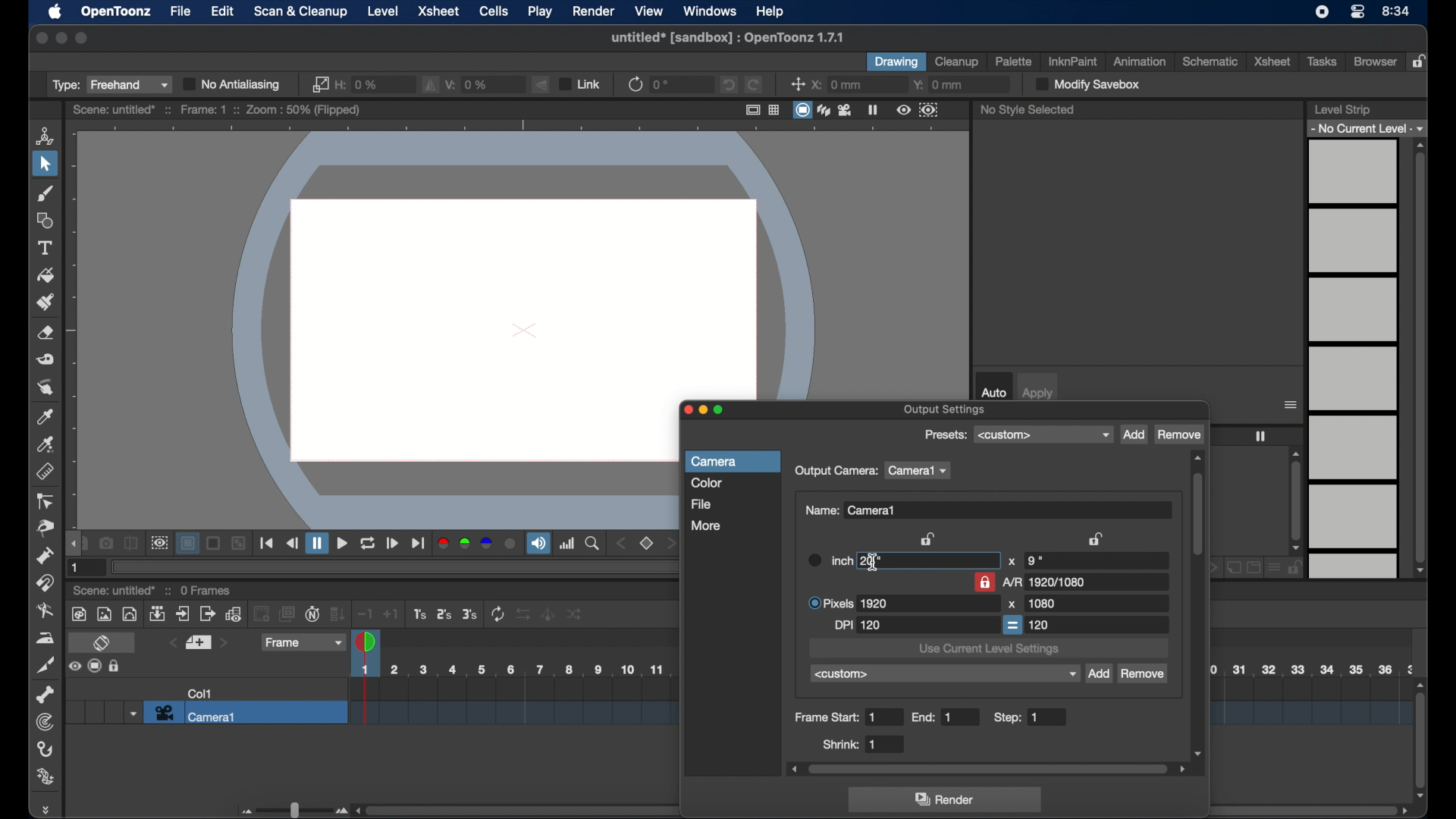  Describe the element at coordinates (1144, 675) in the screenshot. I see `remove` at that location.